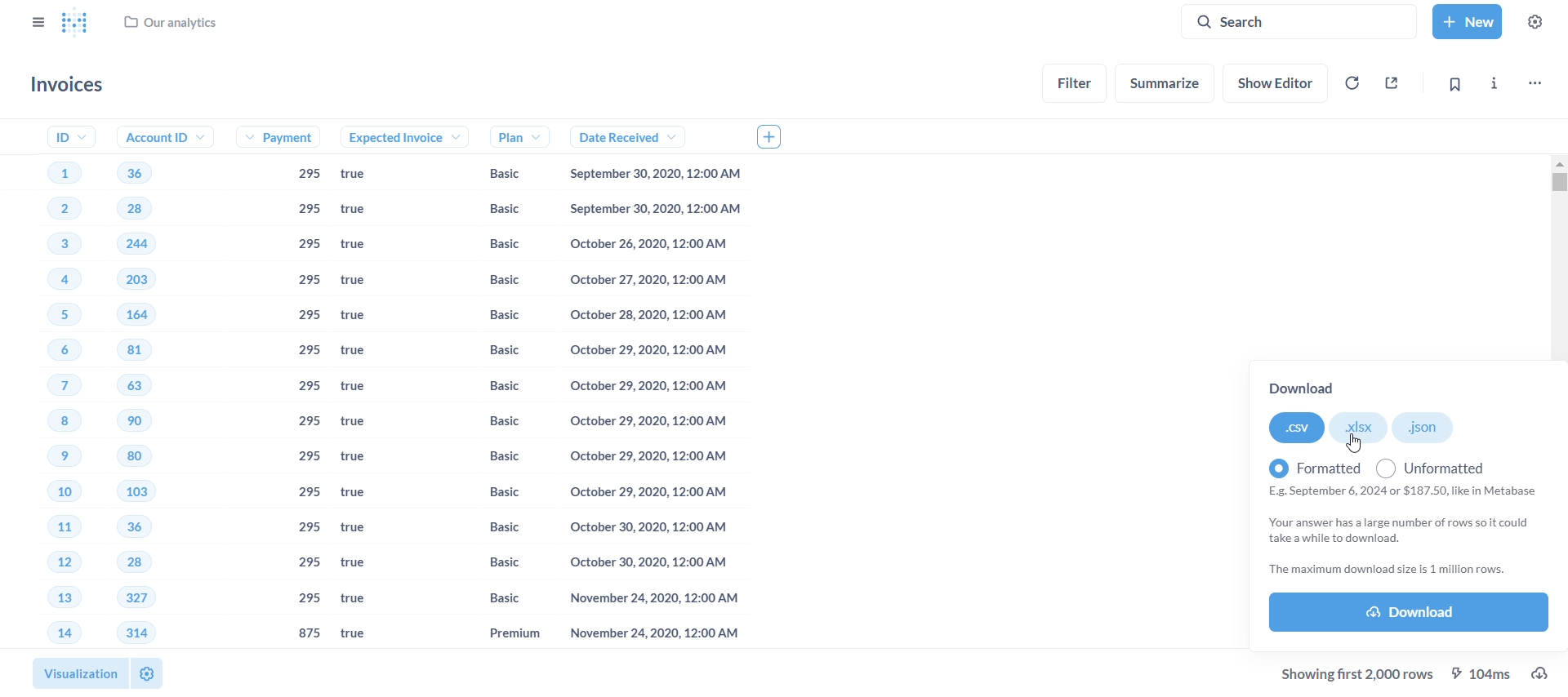 This screenshot has width=1568, height=697. Describe the element at coordinates (74, 670) in the screenshot. I see `visualization` at that location.